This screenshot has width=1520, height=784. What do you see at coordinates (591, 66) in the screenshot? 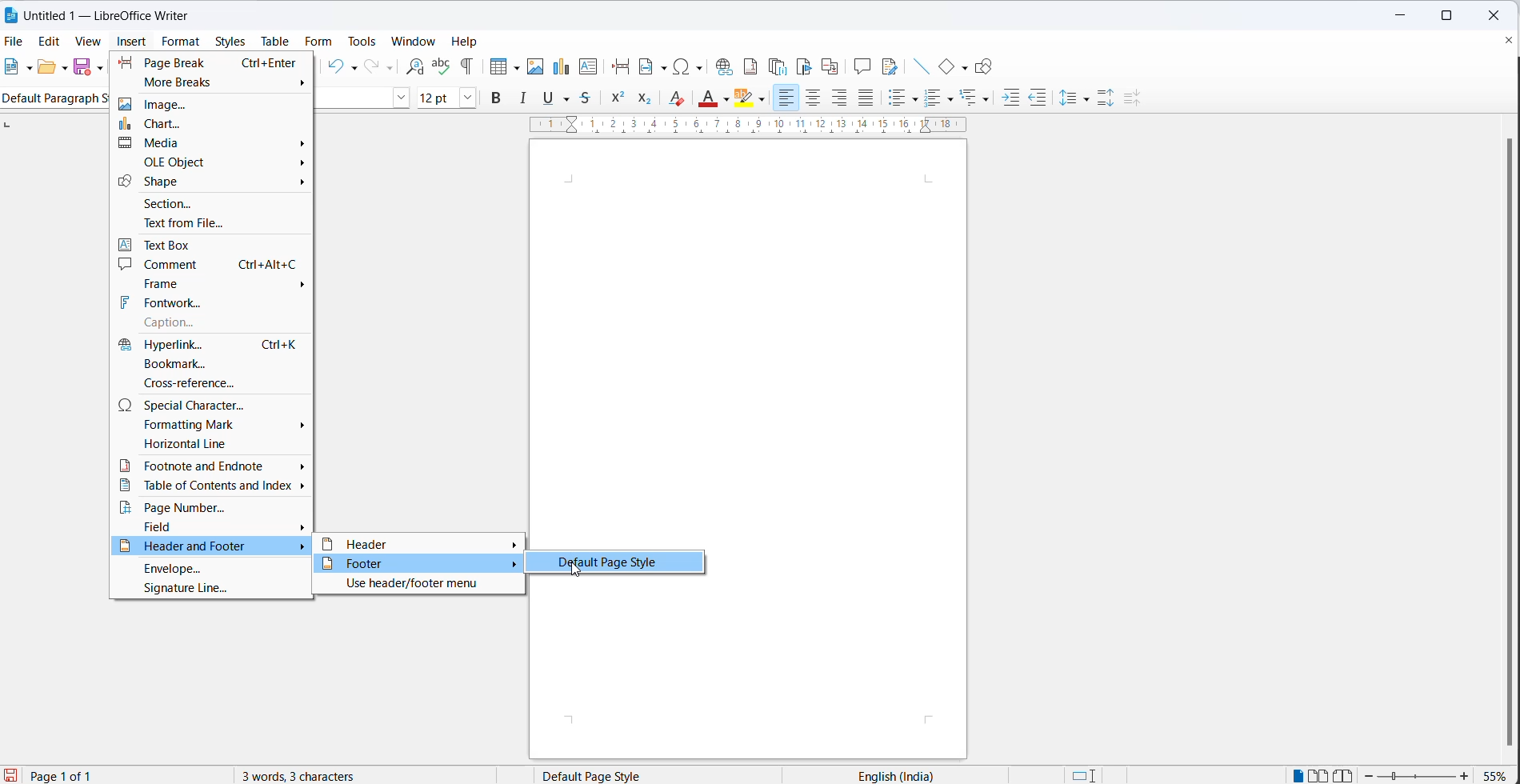
I see `insert text` at bounding box center [591, 66].